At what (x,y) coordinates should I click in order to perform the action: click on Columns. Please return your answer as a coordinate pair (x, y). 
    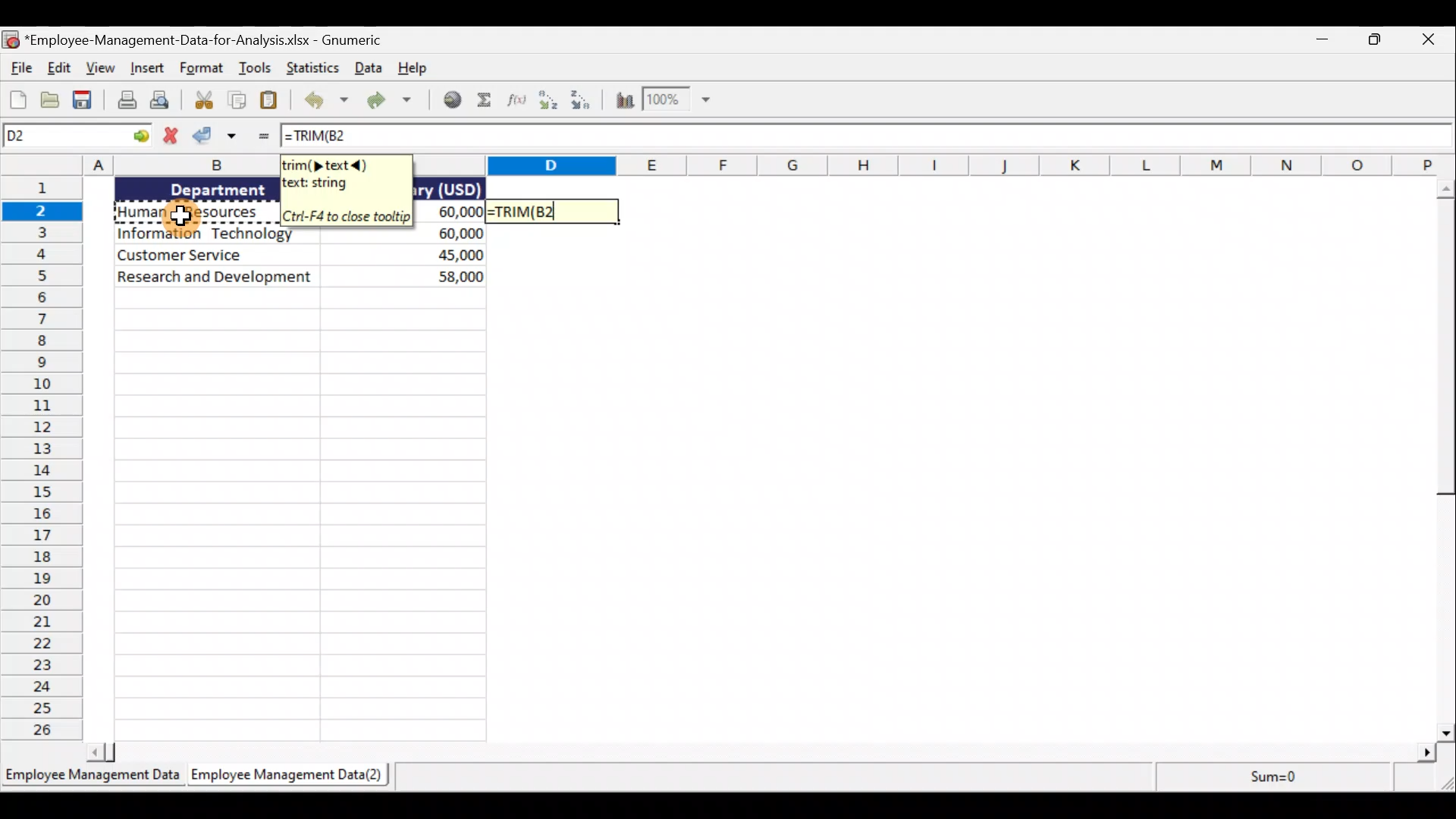
    Looking at the image, I should click on (926, 165).